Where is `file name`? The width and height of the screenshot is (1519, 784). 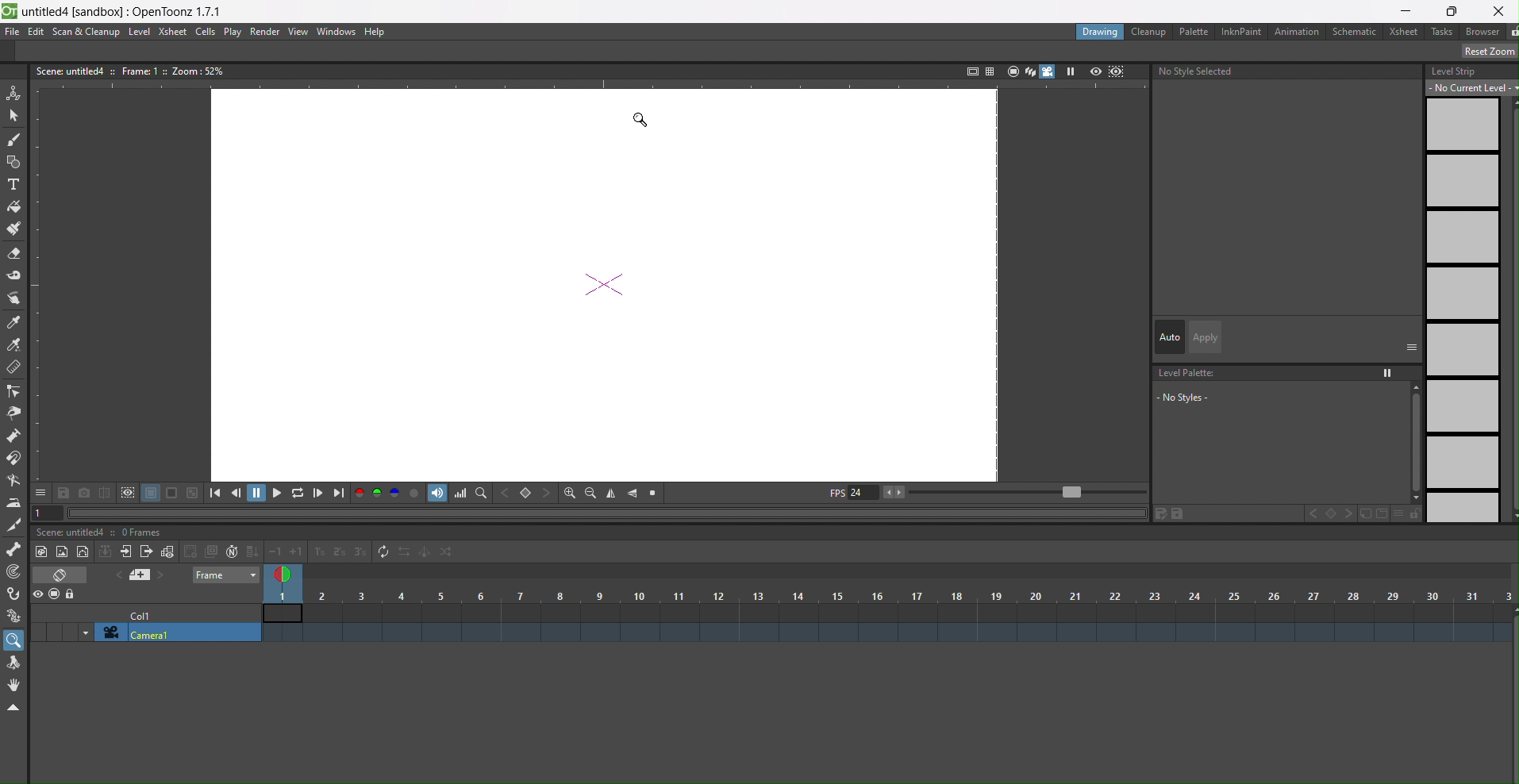 file name is located at coordinates (124, 10).